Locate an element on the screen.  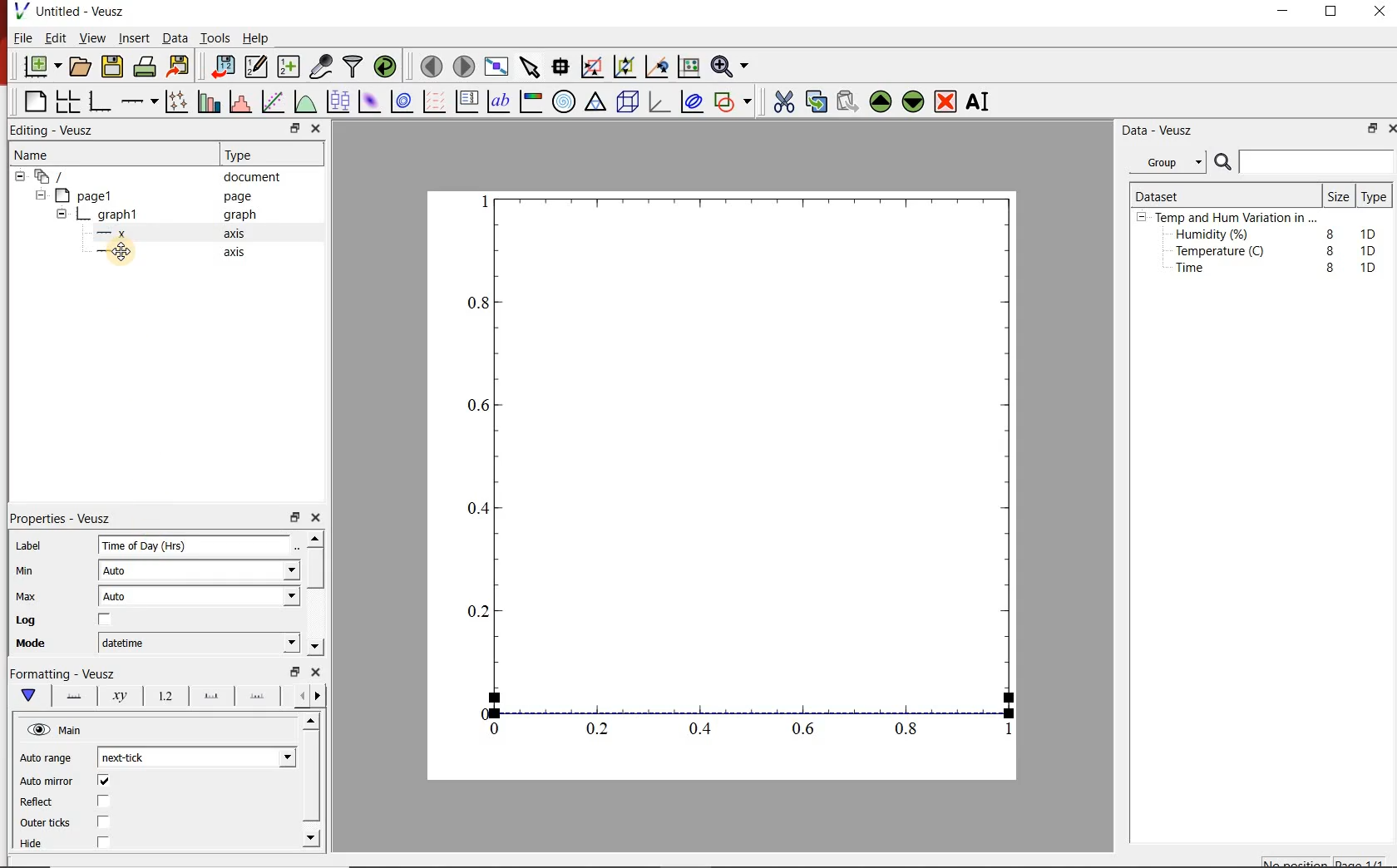
Min is located at coordinates (37, 570).